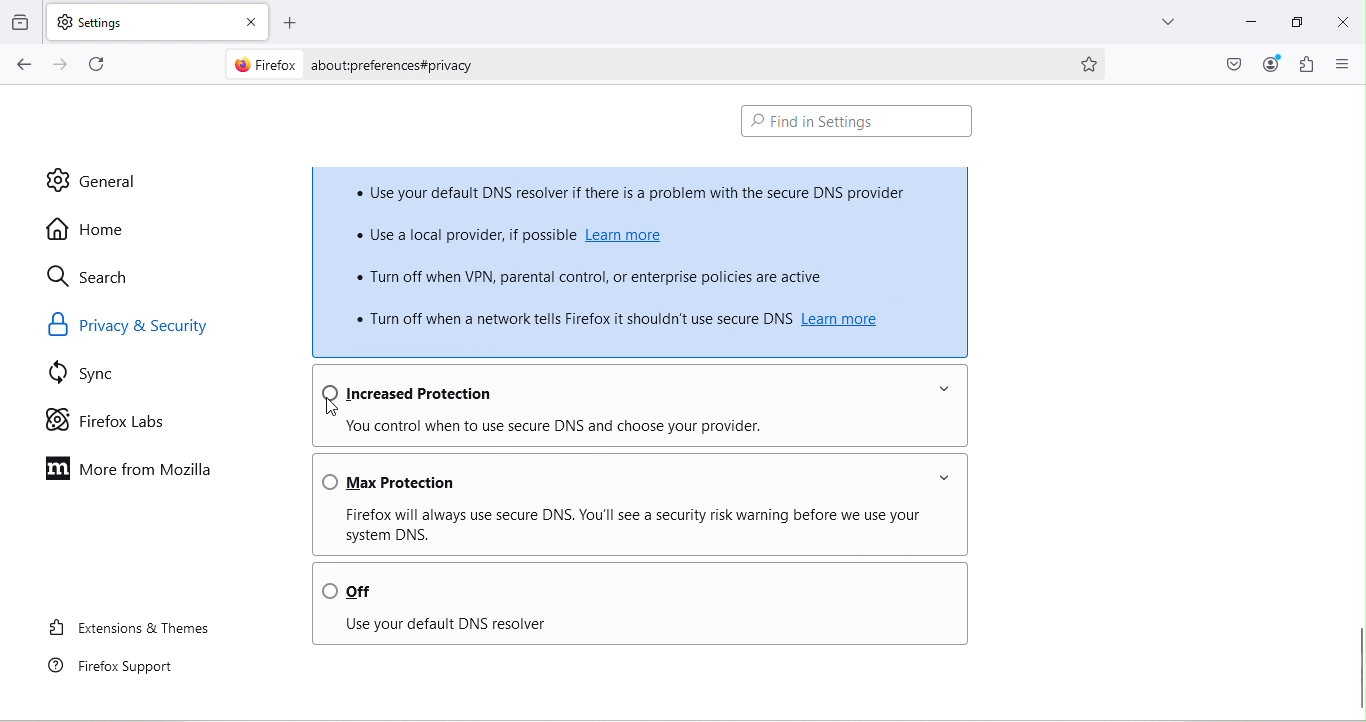  I want to click on Save to pocket, so click(1229, 62).